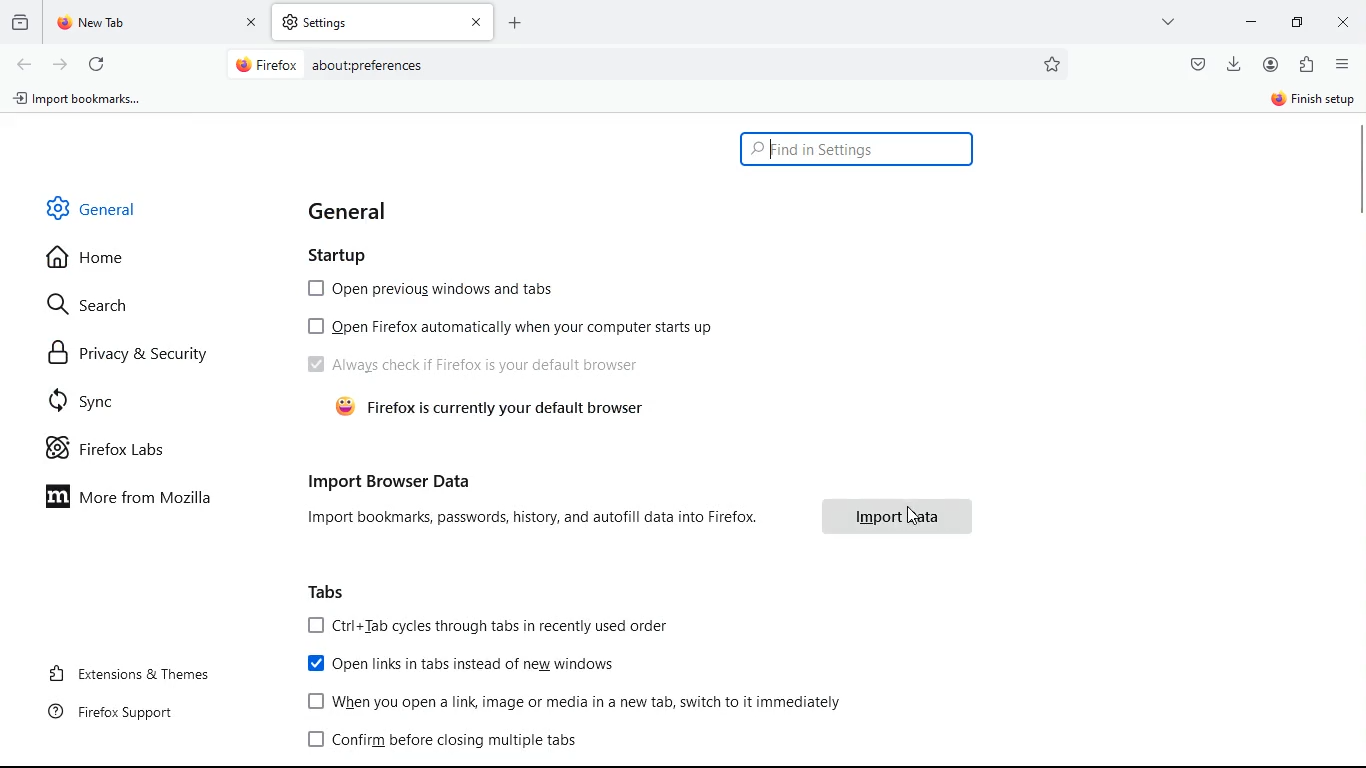 This screenshot has height=768, width=1366. What do you see at coordinates (61, 66) in the screenshot?
I see `forward` at bounding box center [61, 66].